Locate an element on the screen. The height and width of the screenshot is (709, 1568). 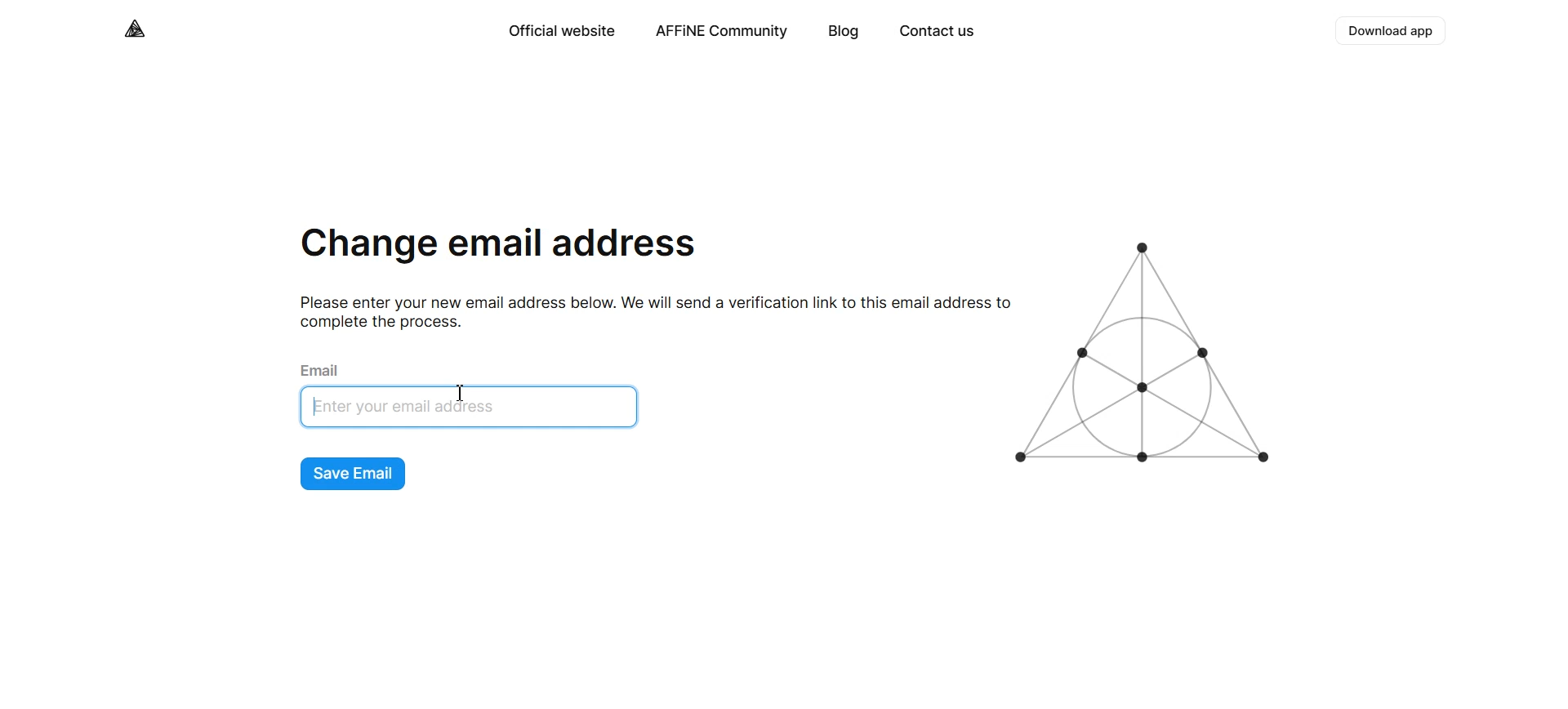
Official website is located at coordinates (560, 31).